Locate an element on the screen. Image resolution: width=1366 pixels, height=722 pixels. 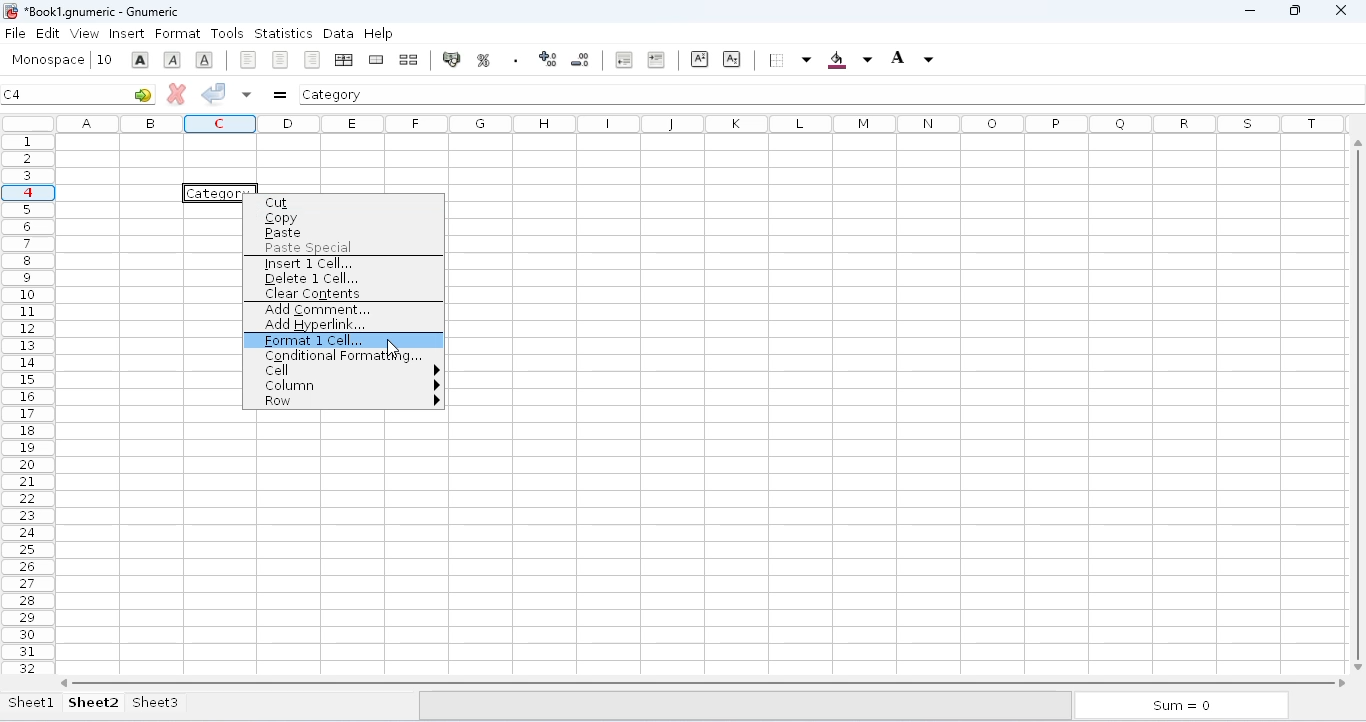
statistics is located at coordinates (283, 34).